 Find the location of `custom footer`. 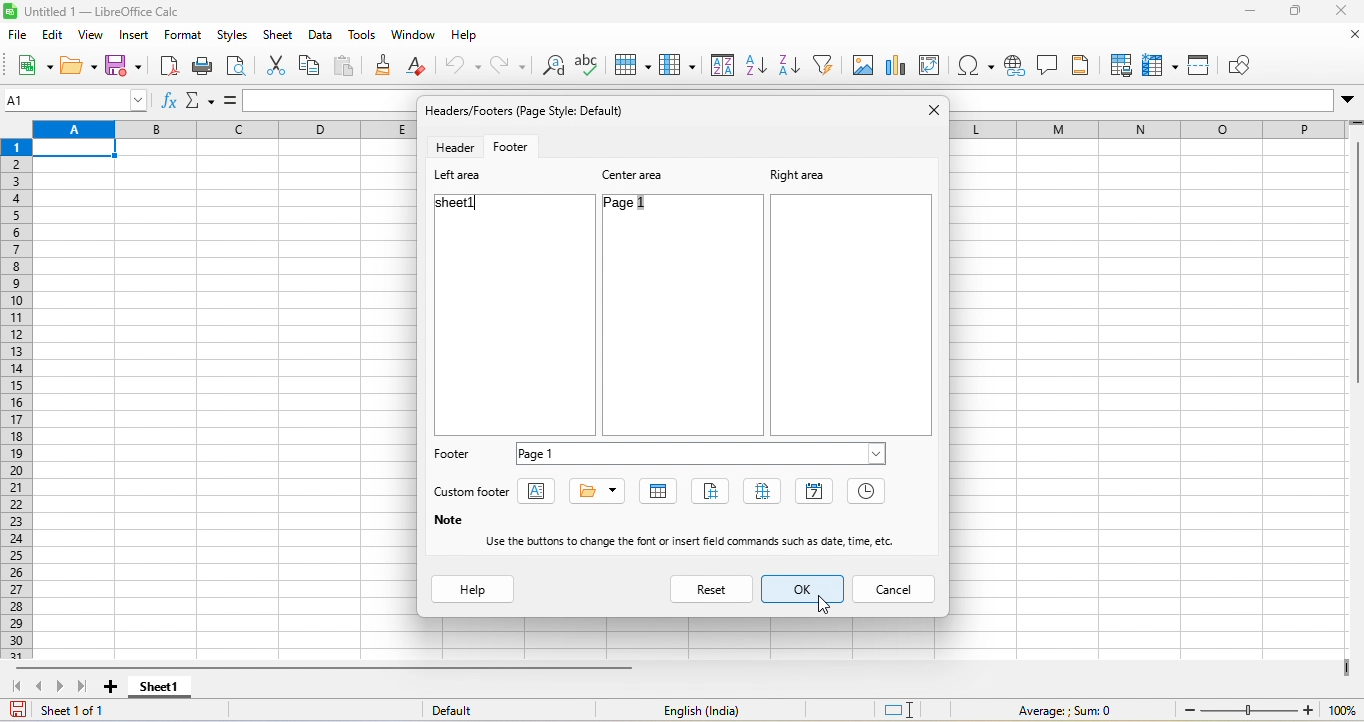

custom footer is located at coordinates (475, 492).